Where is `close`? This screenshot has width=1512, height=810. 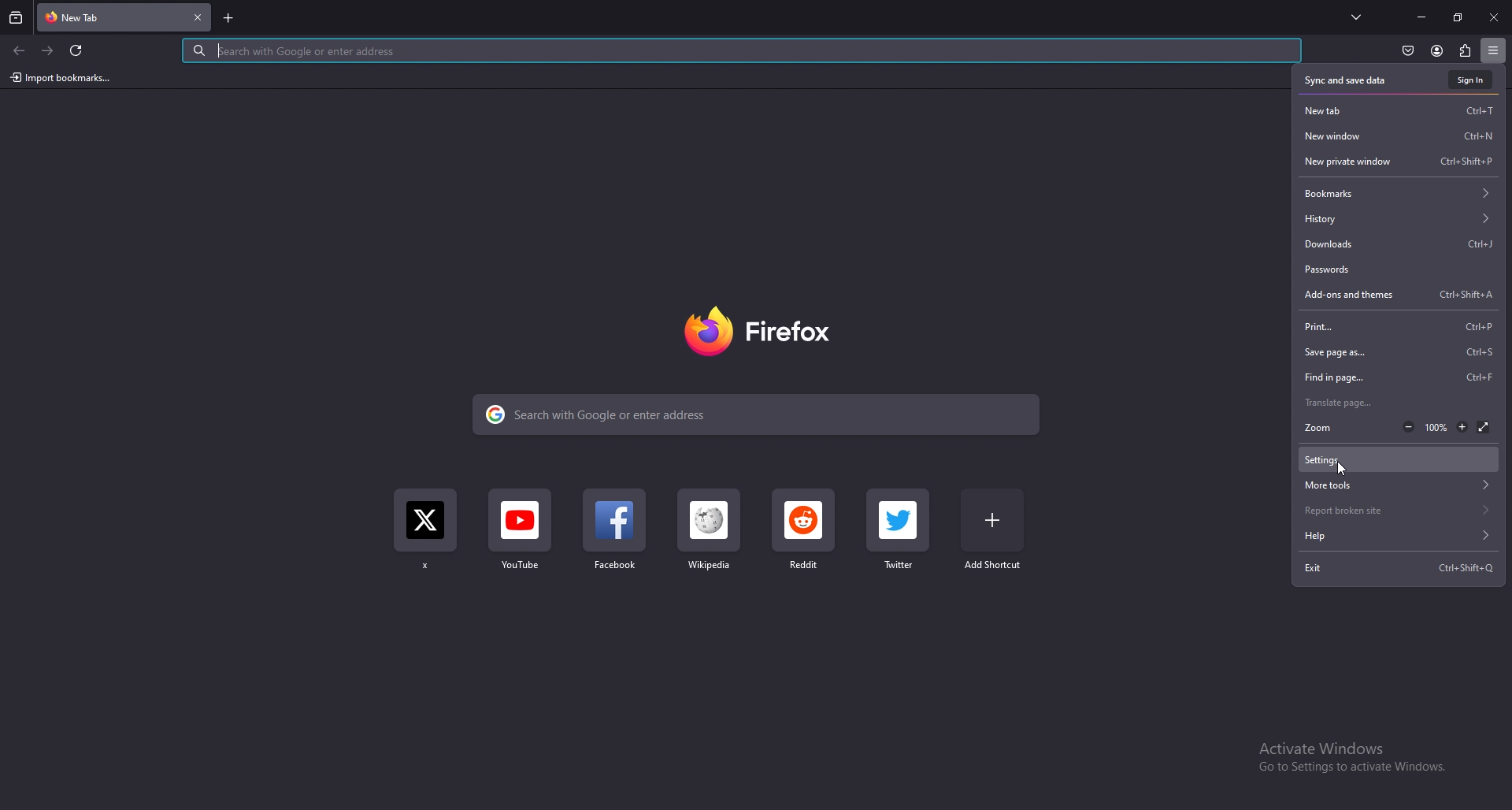 close is located at coordinates (1492, 18).